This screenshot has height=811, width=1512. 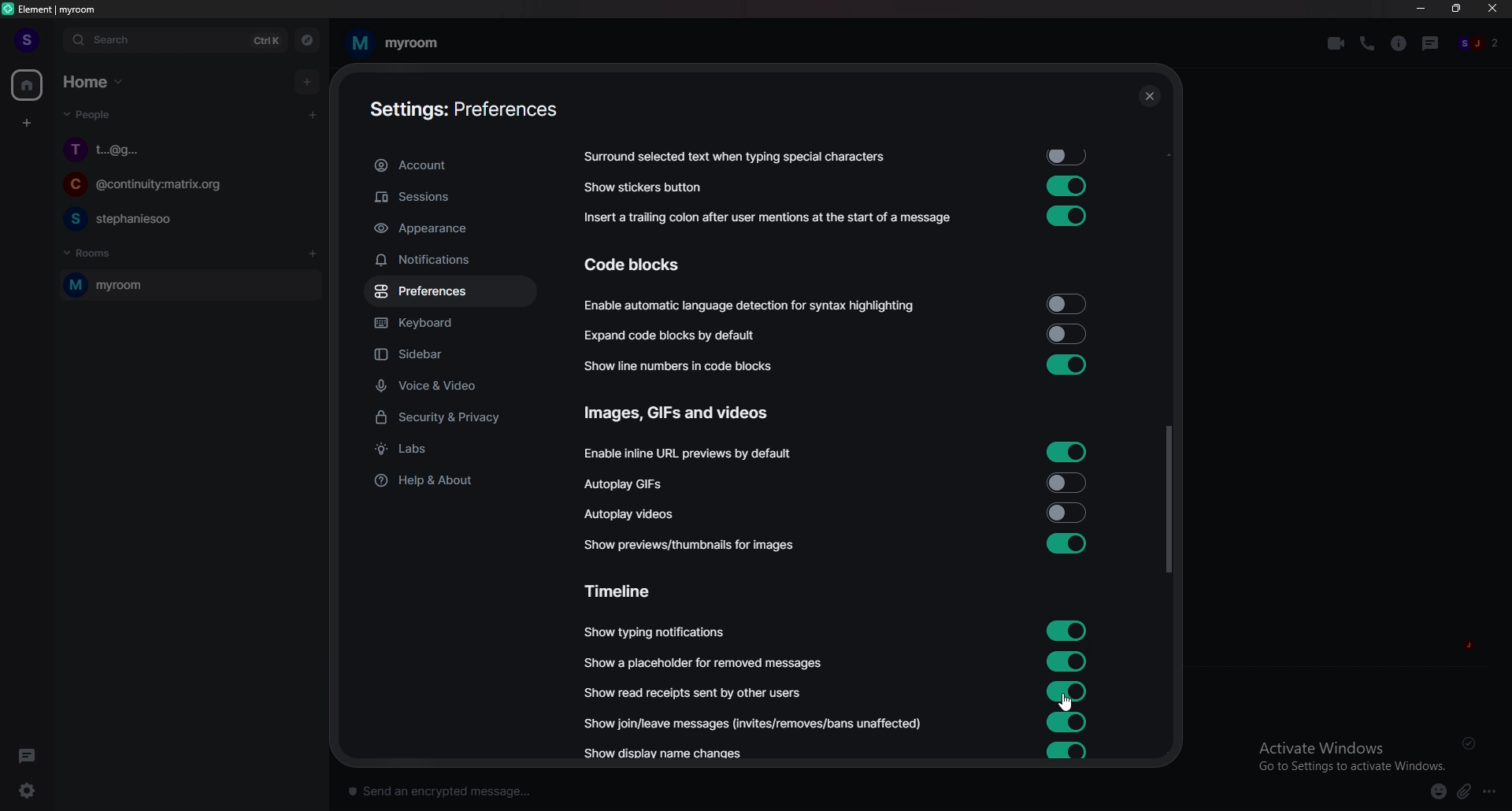 What do you see at coordinates (1400, 43) in the screenshot?
I see `room info` at bounding box center [1400, 43].